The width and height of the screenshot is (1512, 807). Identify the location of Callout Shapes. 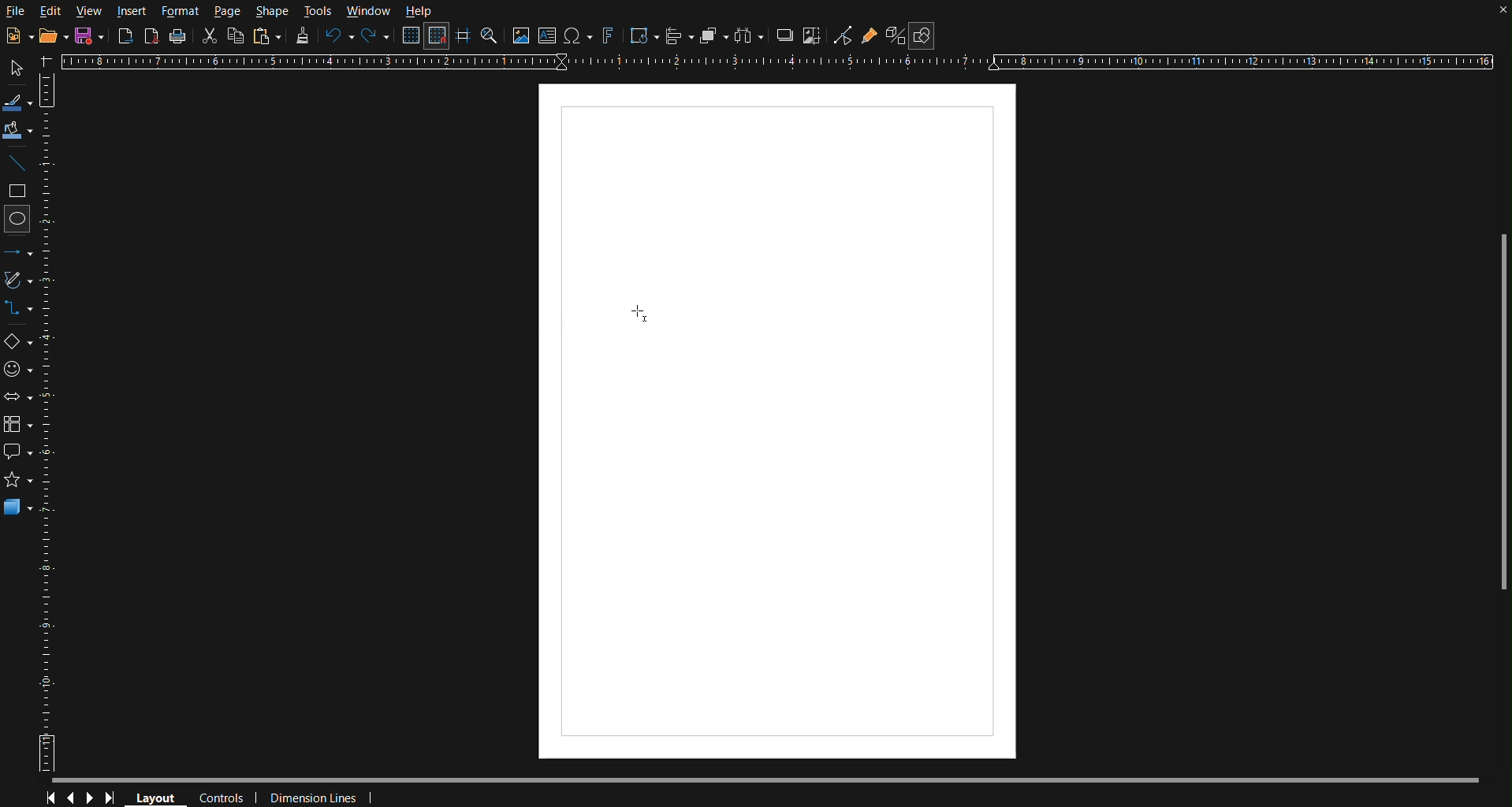
(18, 449).